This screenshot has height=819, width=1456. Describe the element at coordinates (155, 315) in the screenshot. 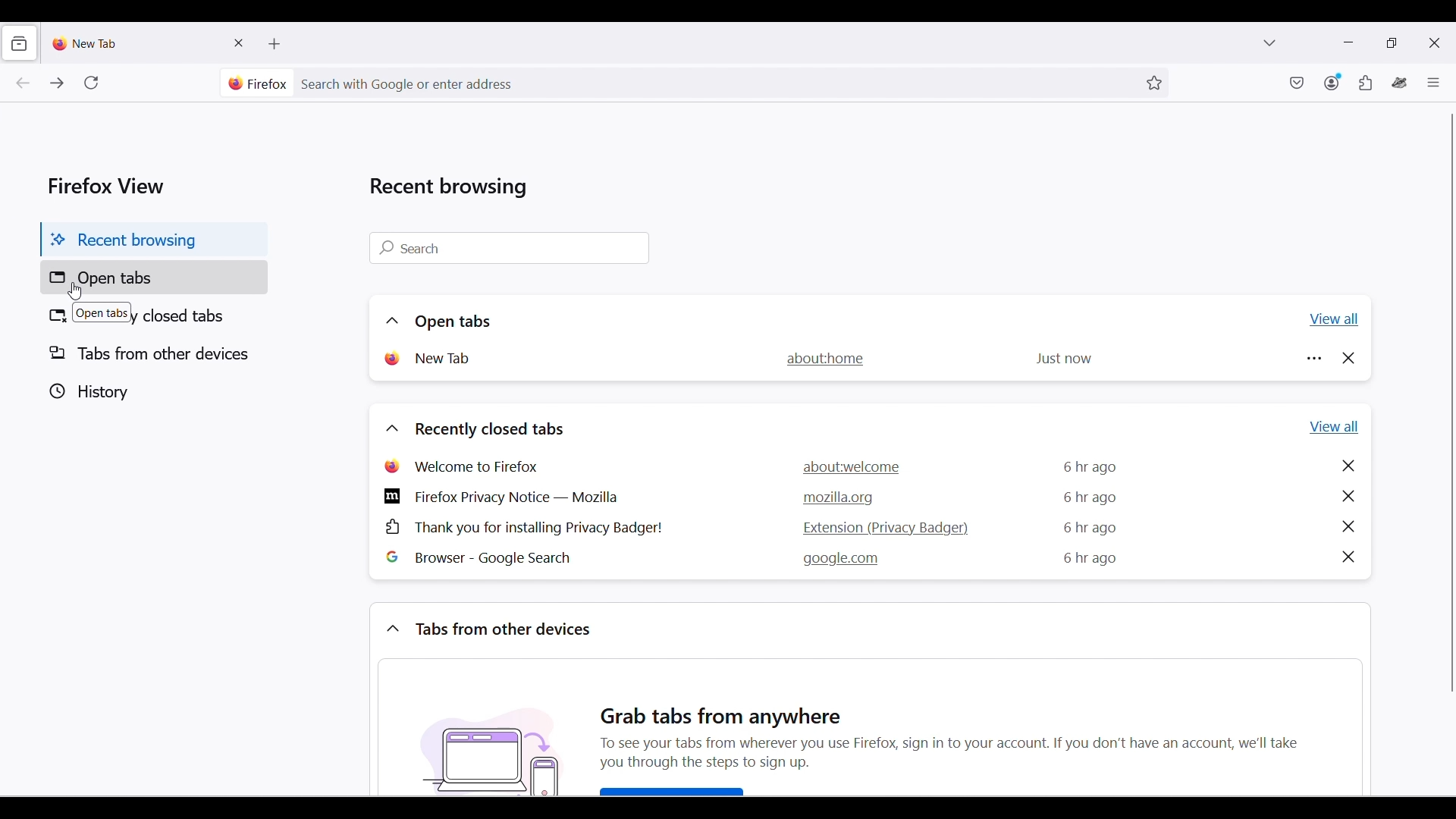

I see `Recently closed tabs` at that location.